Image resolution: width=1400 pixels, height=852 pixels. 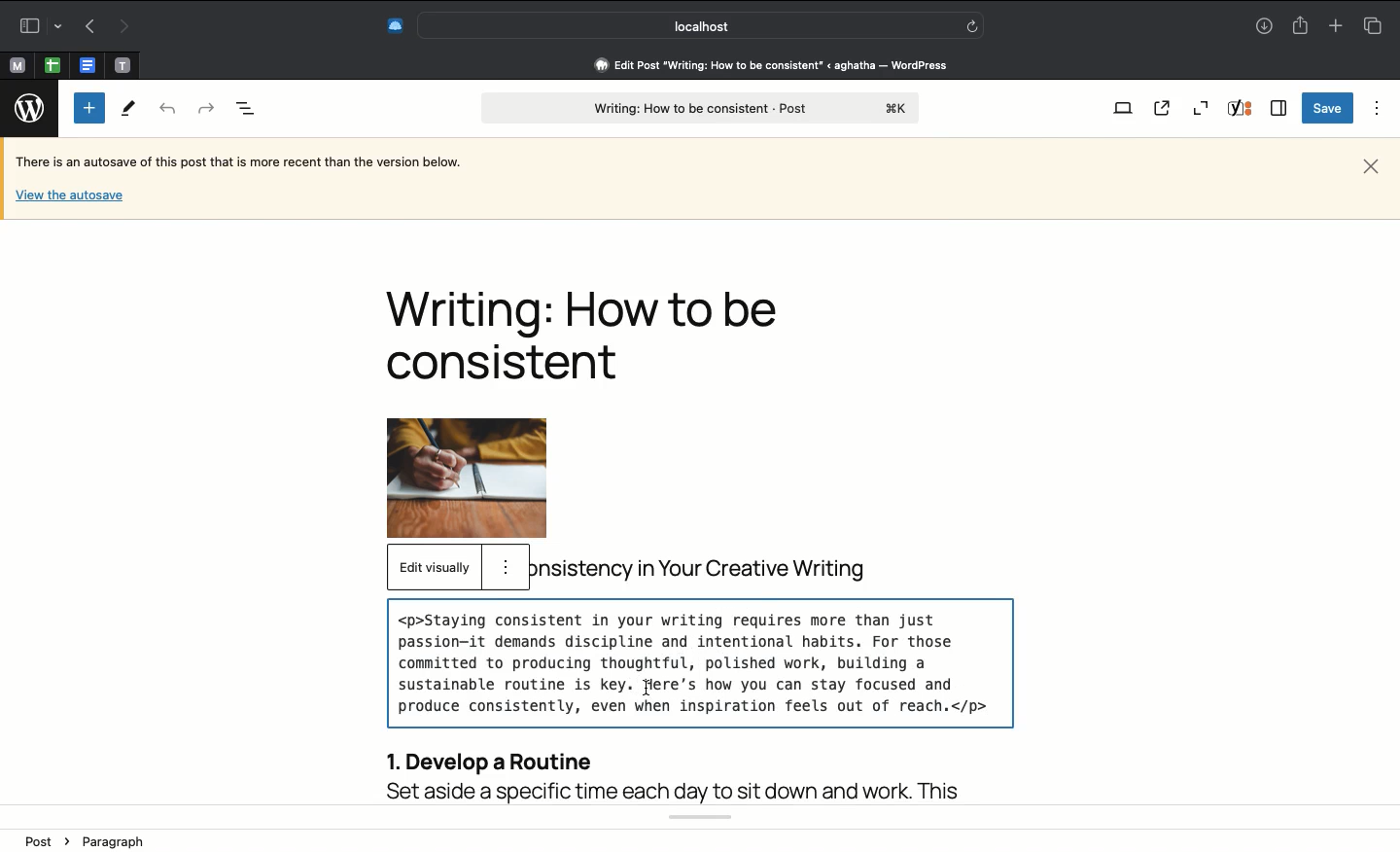 I want to click on Search bar, so click(x=701, y=25).